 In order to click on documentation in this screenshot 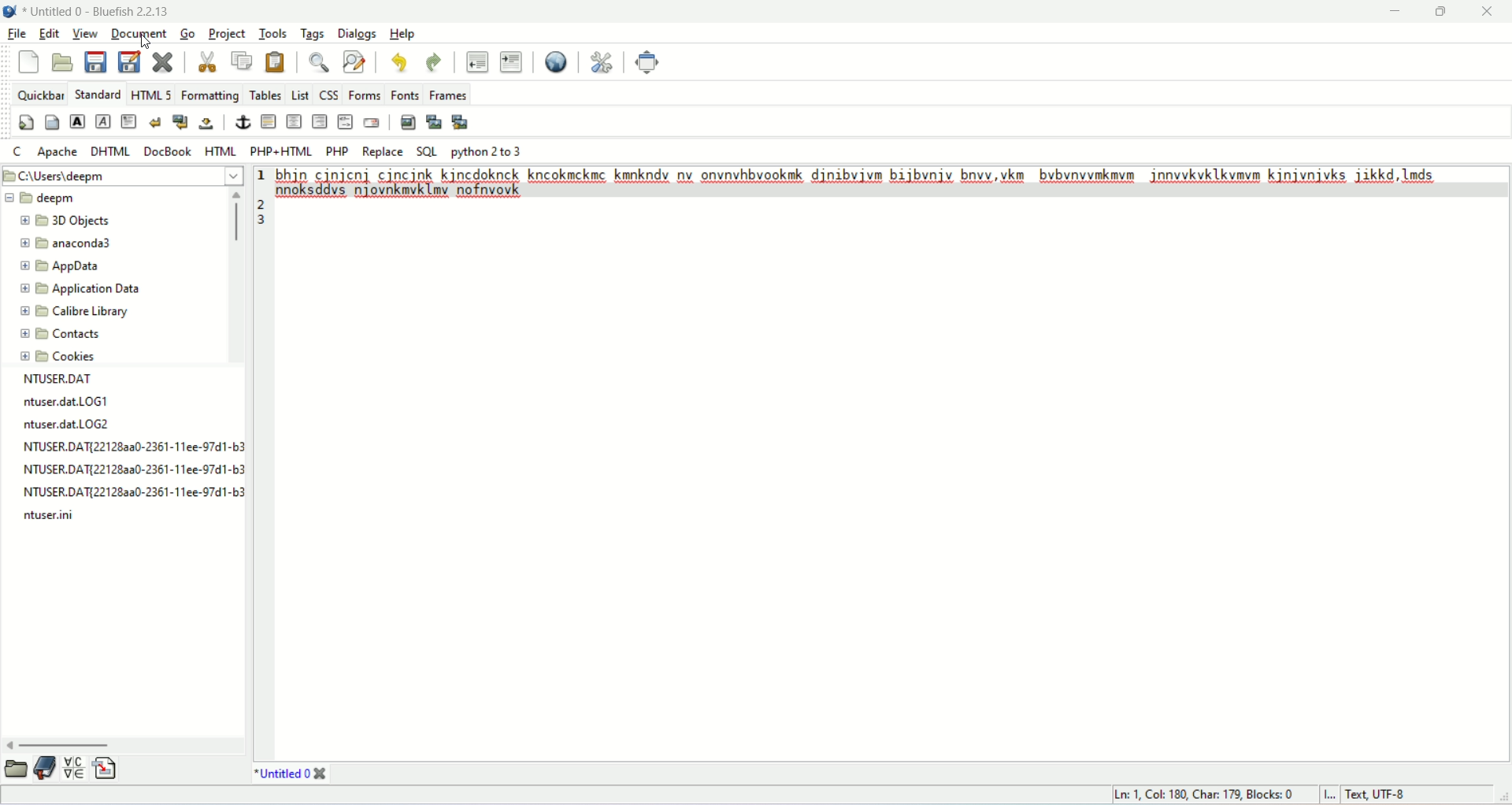, I will do `click(46, 771)`.